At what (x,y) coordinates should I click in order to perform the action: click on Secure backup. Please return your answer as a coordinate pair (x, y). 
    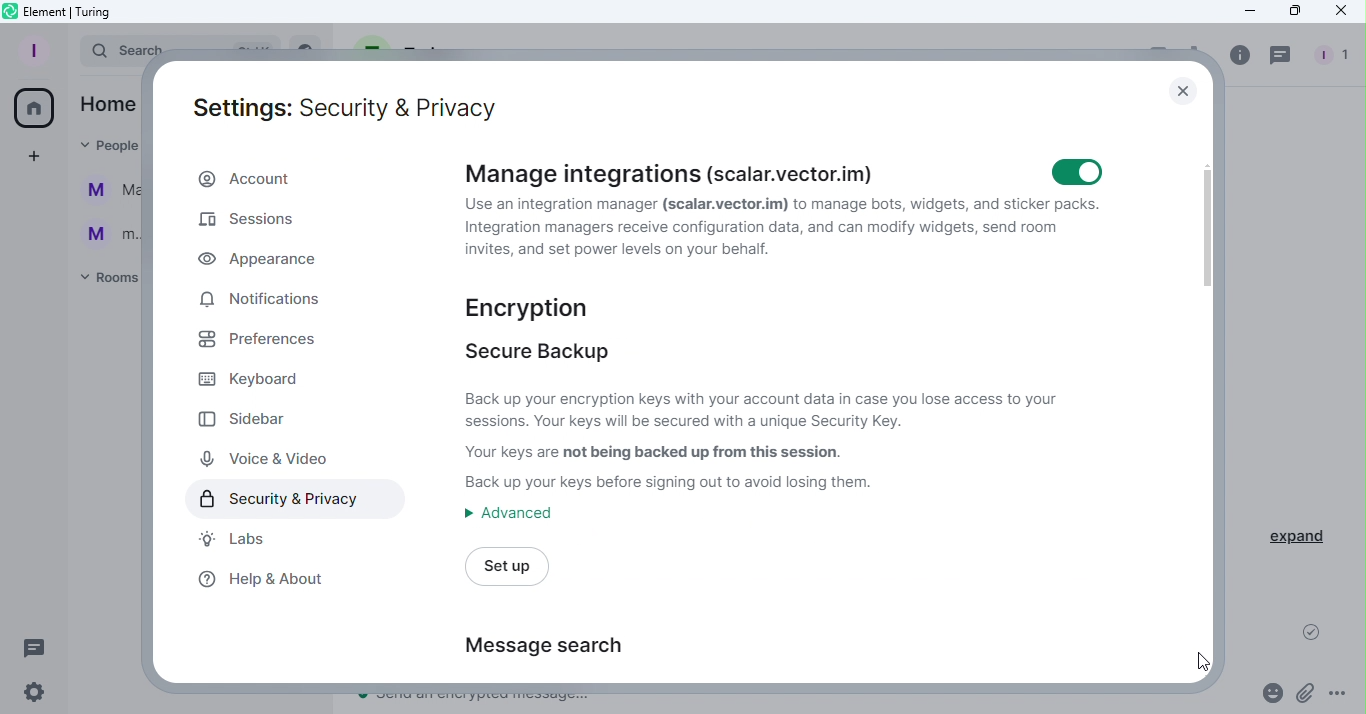
    Looking at the image, I should click on (798, 411).